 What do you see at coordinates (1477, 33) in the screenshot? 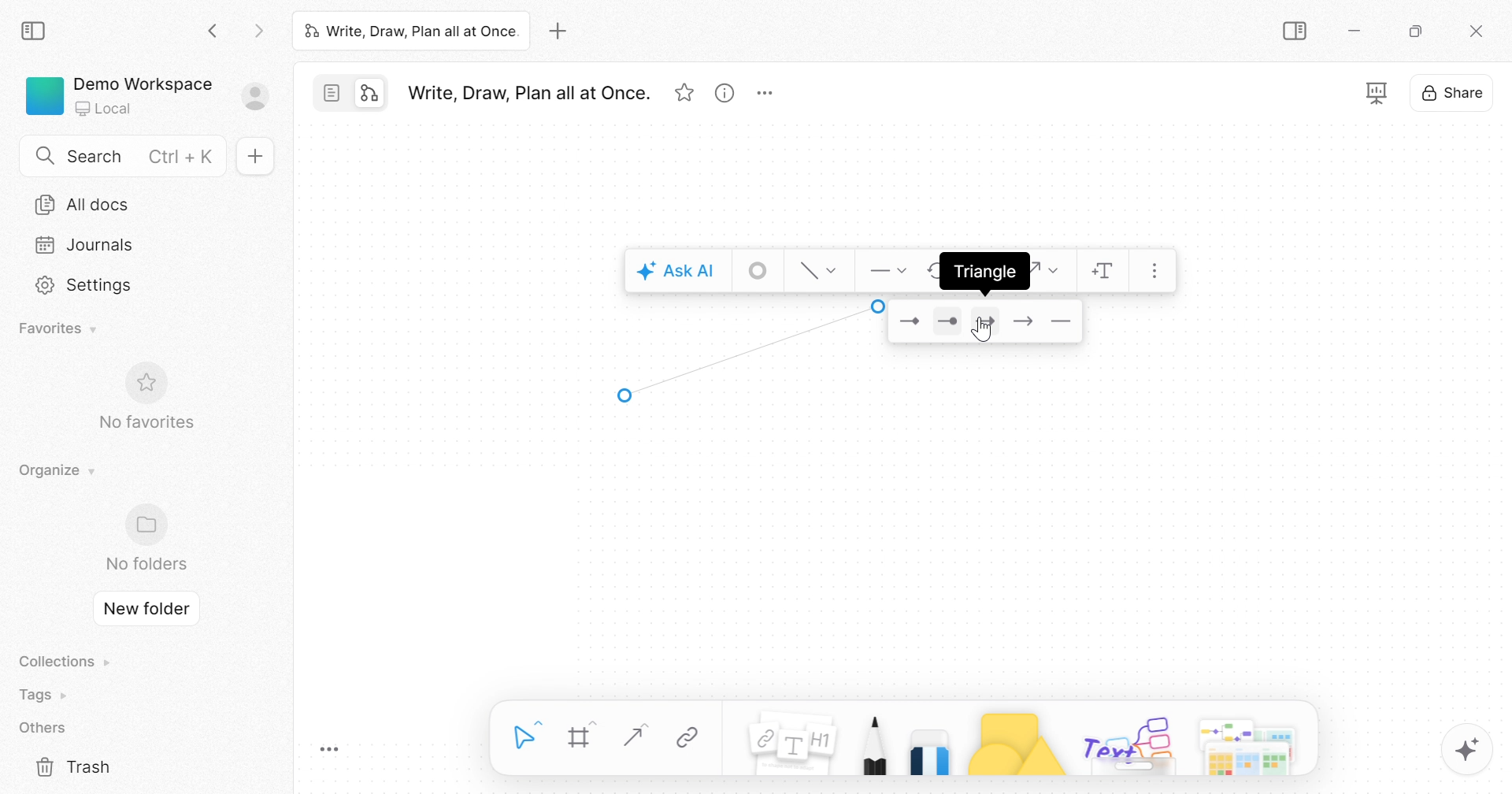
I see `Close` at bounding box center [1477, 33].